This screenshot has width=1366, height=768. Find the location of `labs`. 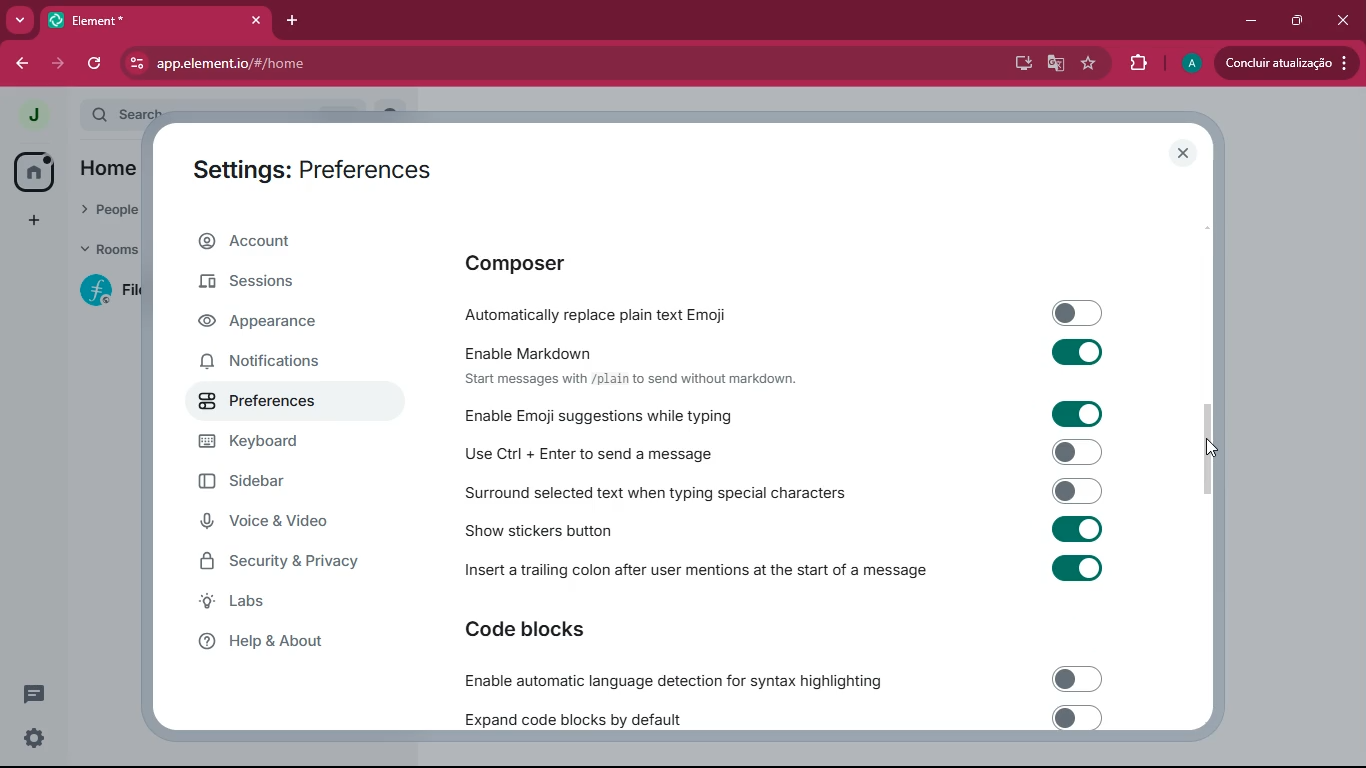

labs is located at coordinates (279, 606).